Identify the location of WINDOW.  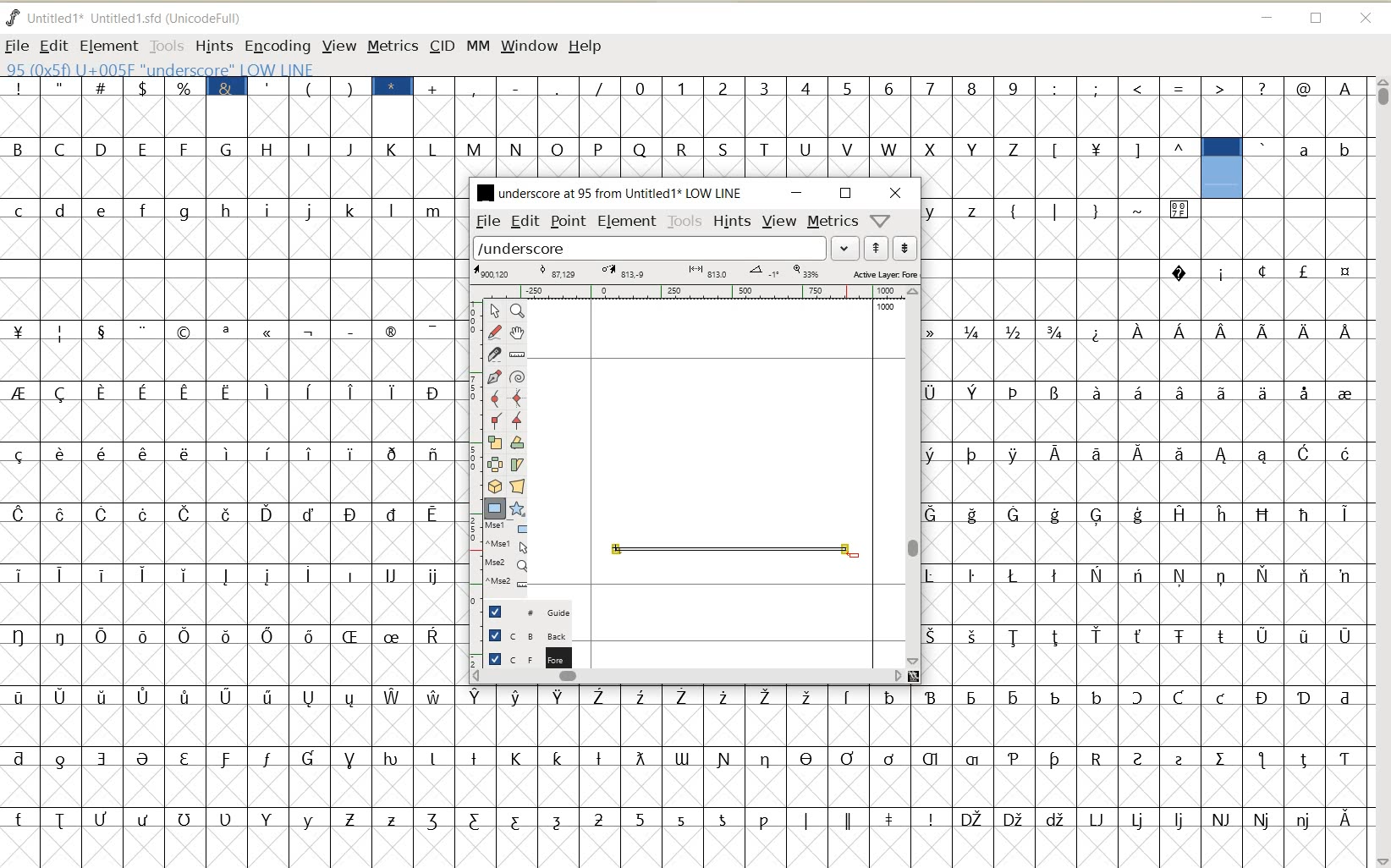
(530, 47).